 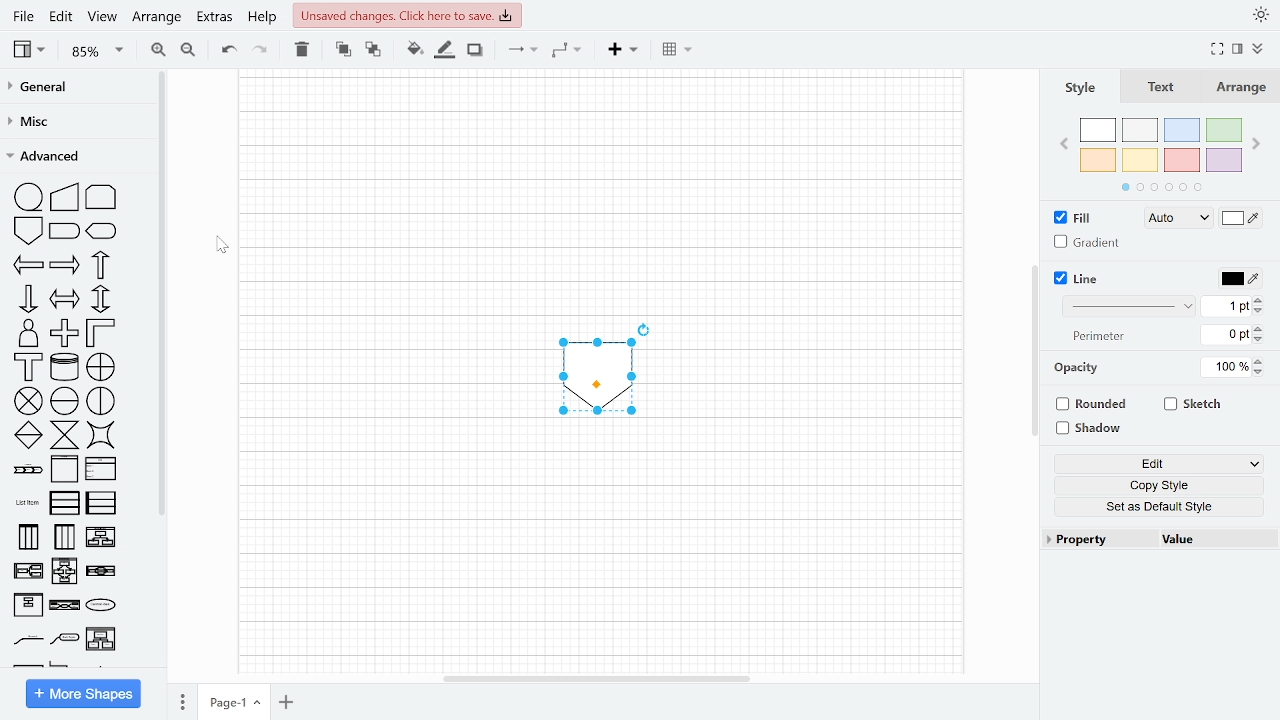 I want to click on organizations, so click(x=102, y=639).